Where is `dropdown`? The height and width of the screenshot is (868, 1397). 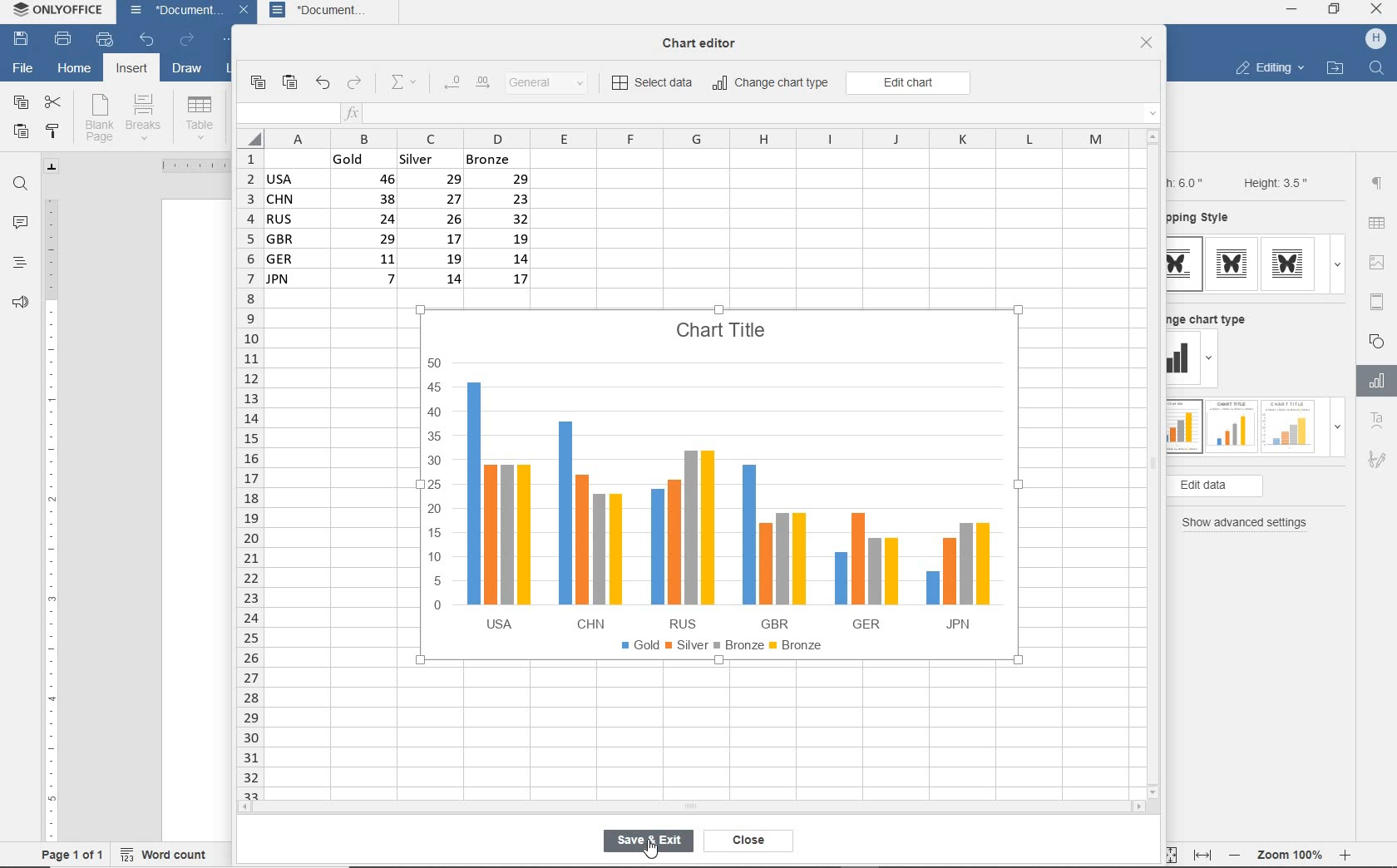
dropdown is located at coordinates (1212, 361).